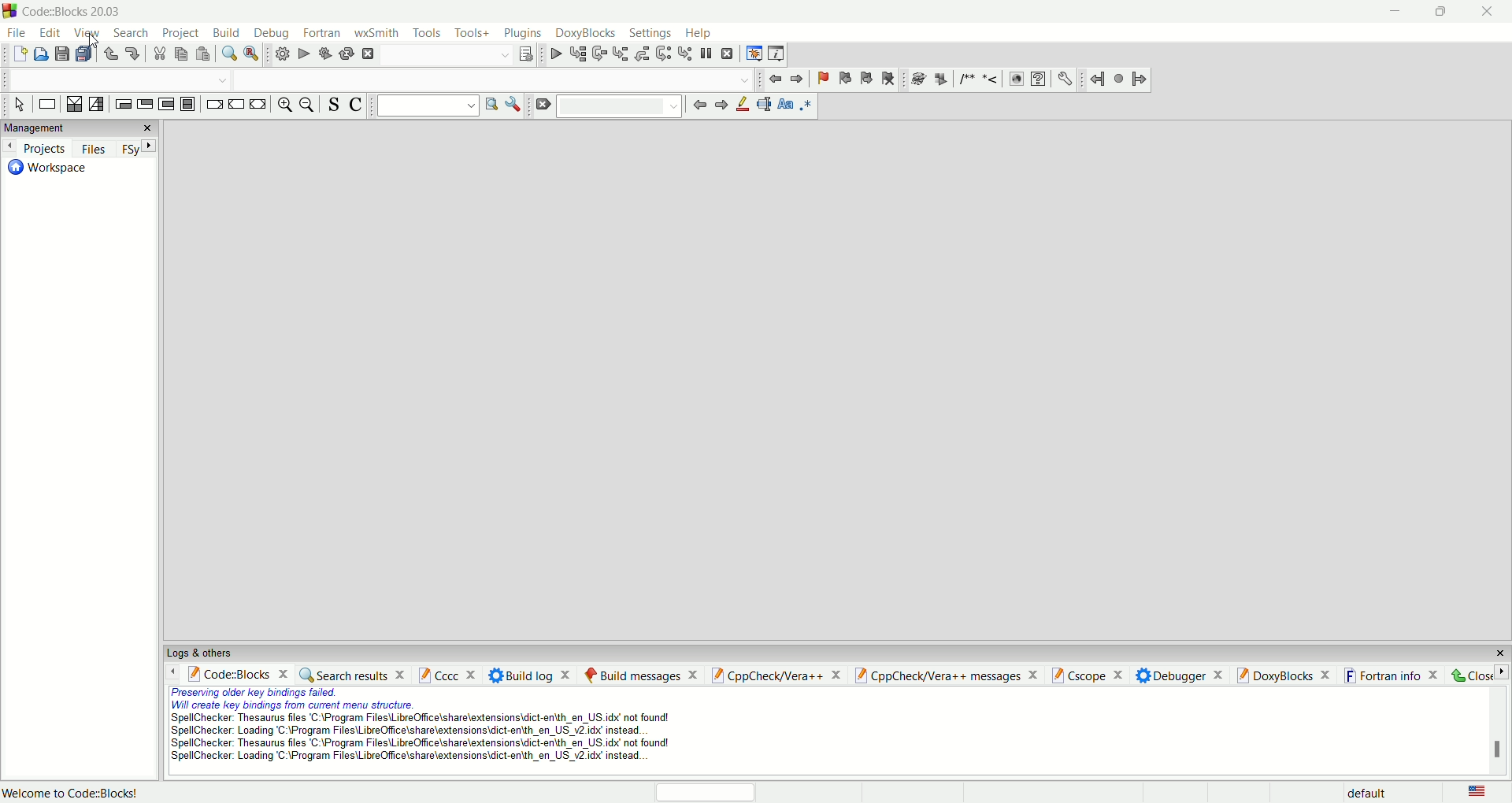  Describe the element at coordinates (97, 149) in the screenshot. I see `files` at that location.